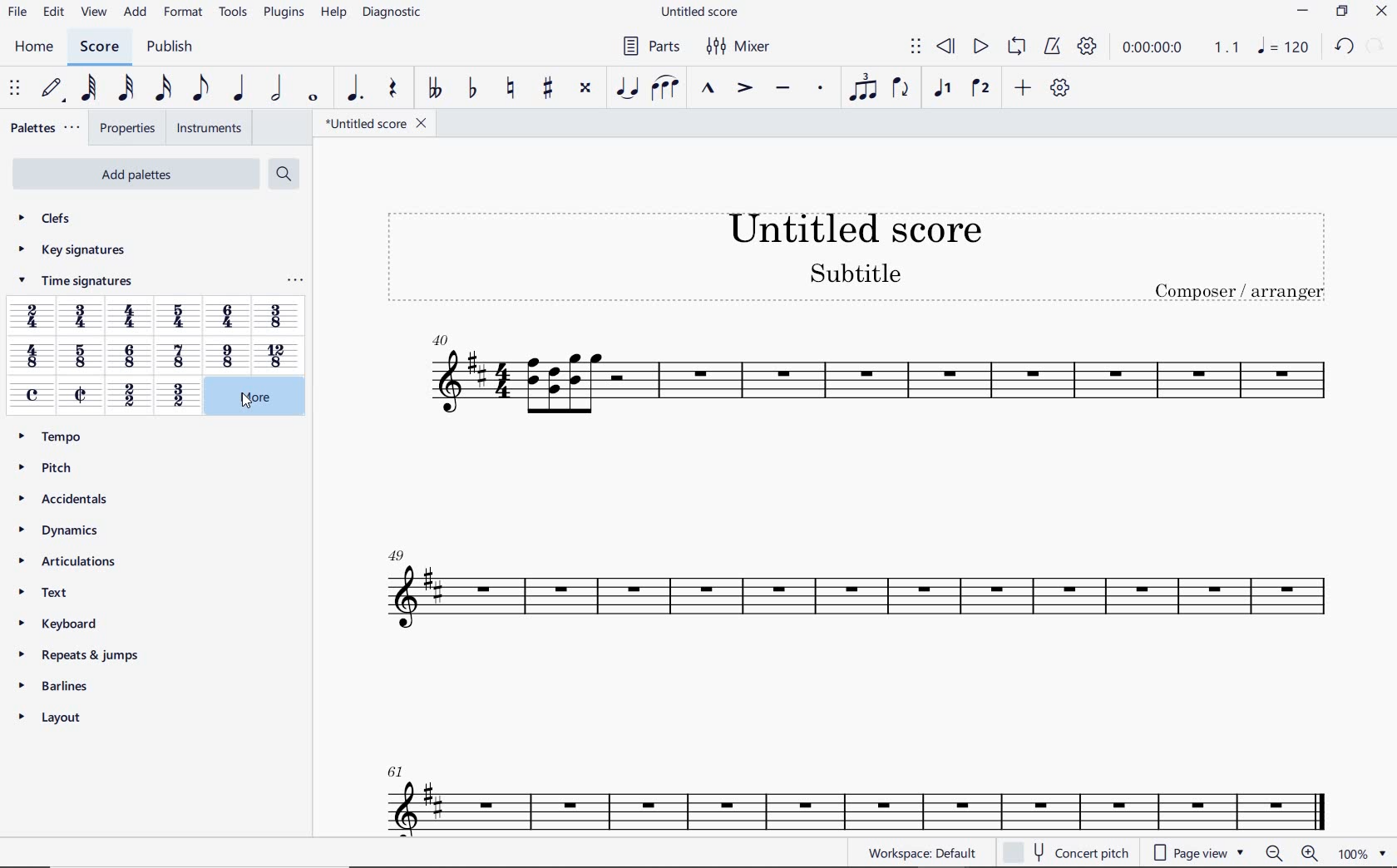 This screenshot has width=1397, height=868. I want to click on 4/8, so click(32, 358).